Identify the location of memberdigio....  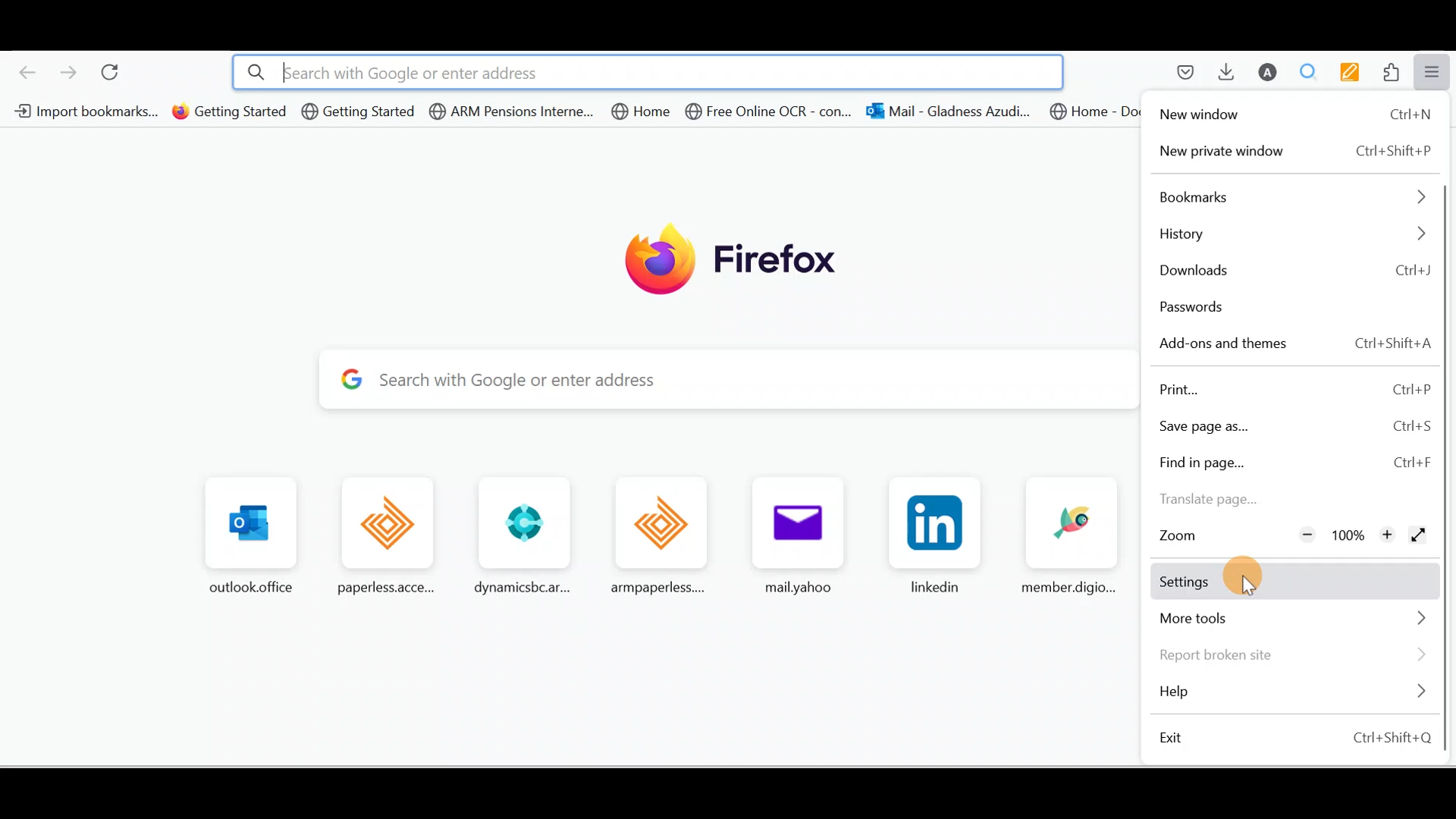
(1070, 538).